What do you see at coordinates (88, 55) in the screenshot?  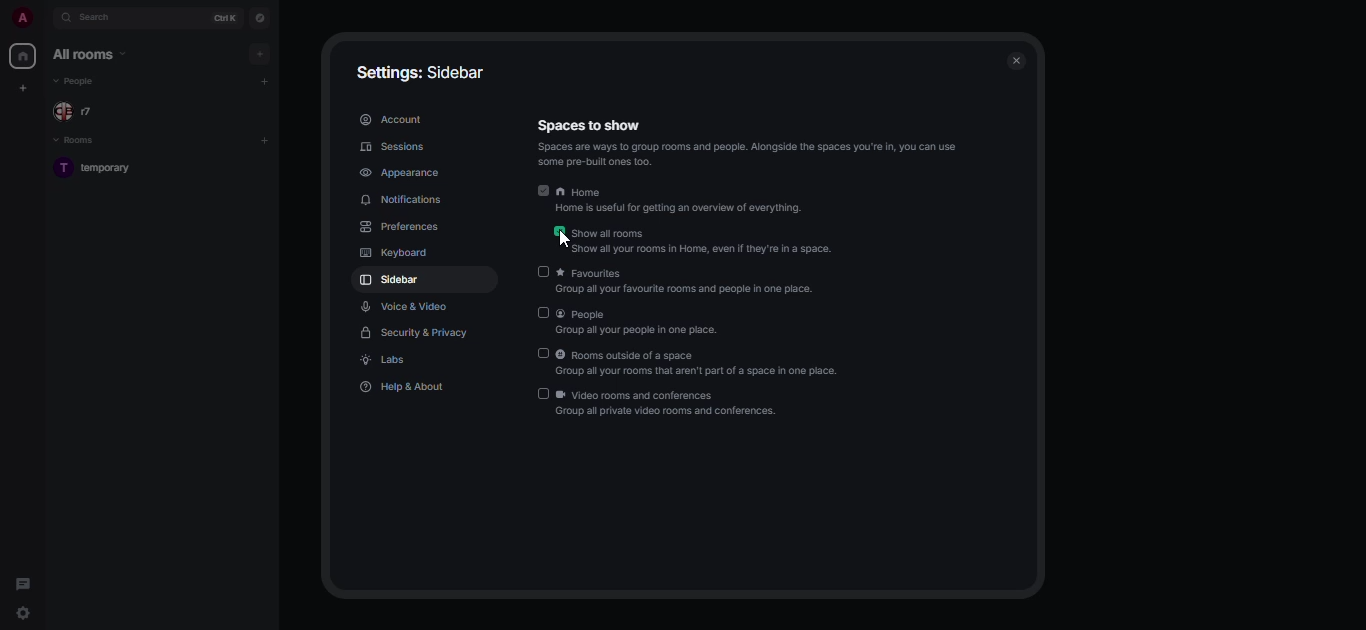 I see `all rooms` at bounding box center [88, 55].